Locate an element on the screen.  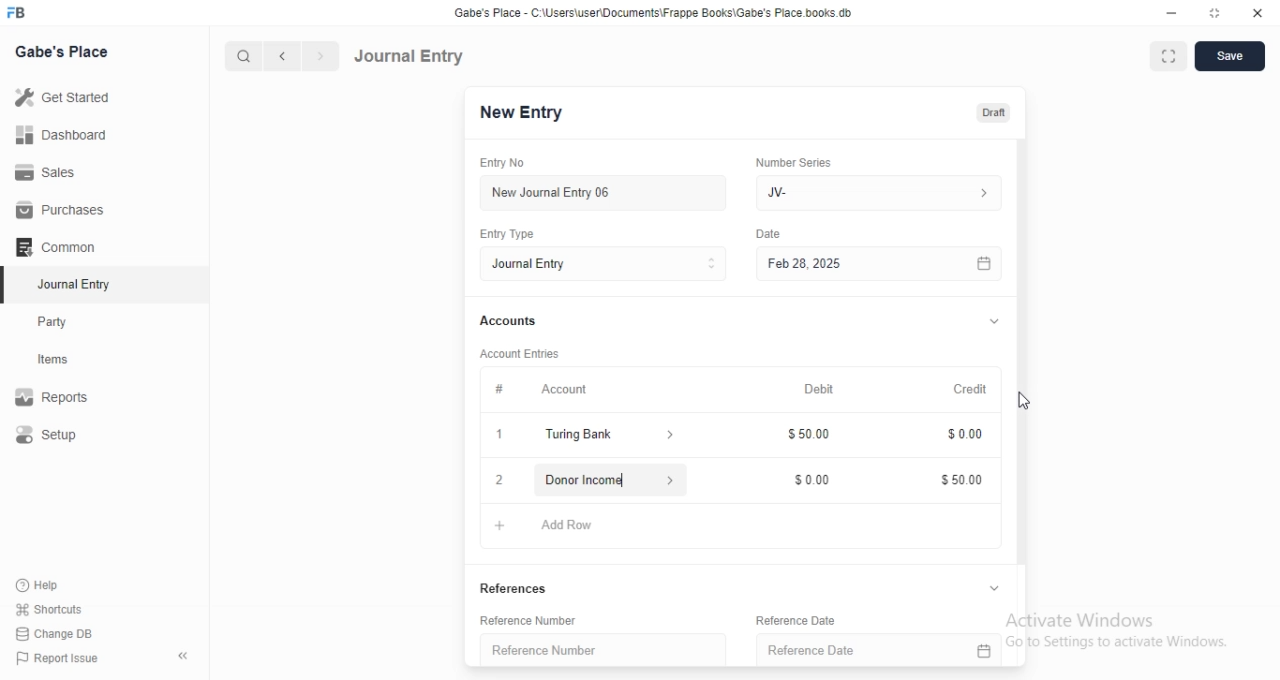
search is located at coordinates (245, 56).